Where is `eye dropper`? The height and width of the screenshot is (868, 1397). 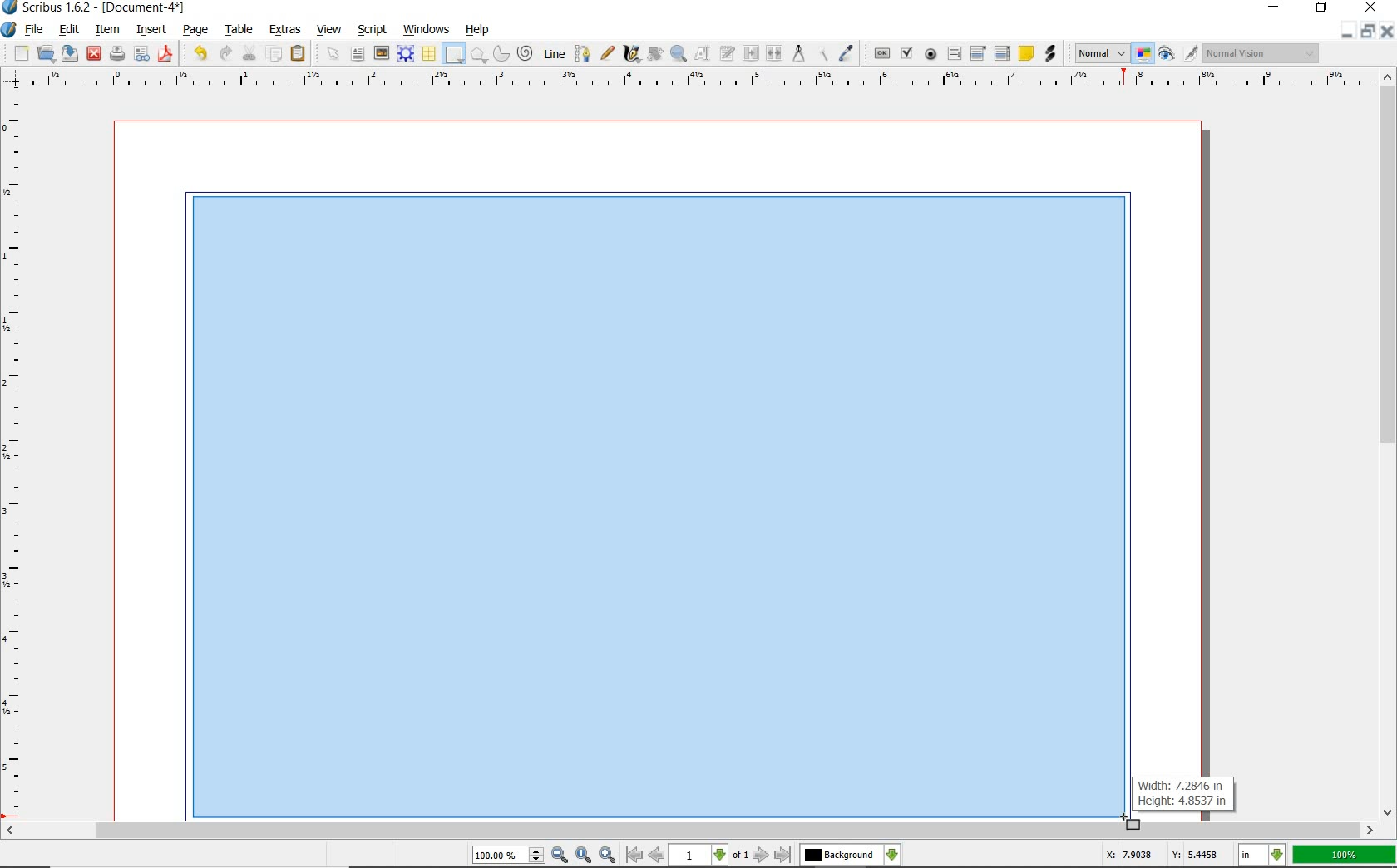
eye dropper is located at coordinates (847, 51).